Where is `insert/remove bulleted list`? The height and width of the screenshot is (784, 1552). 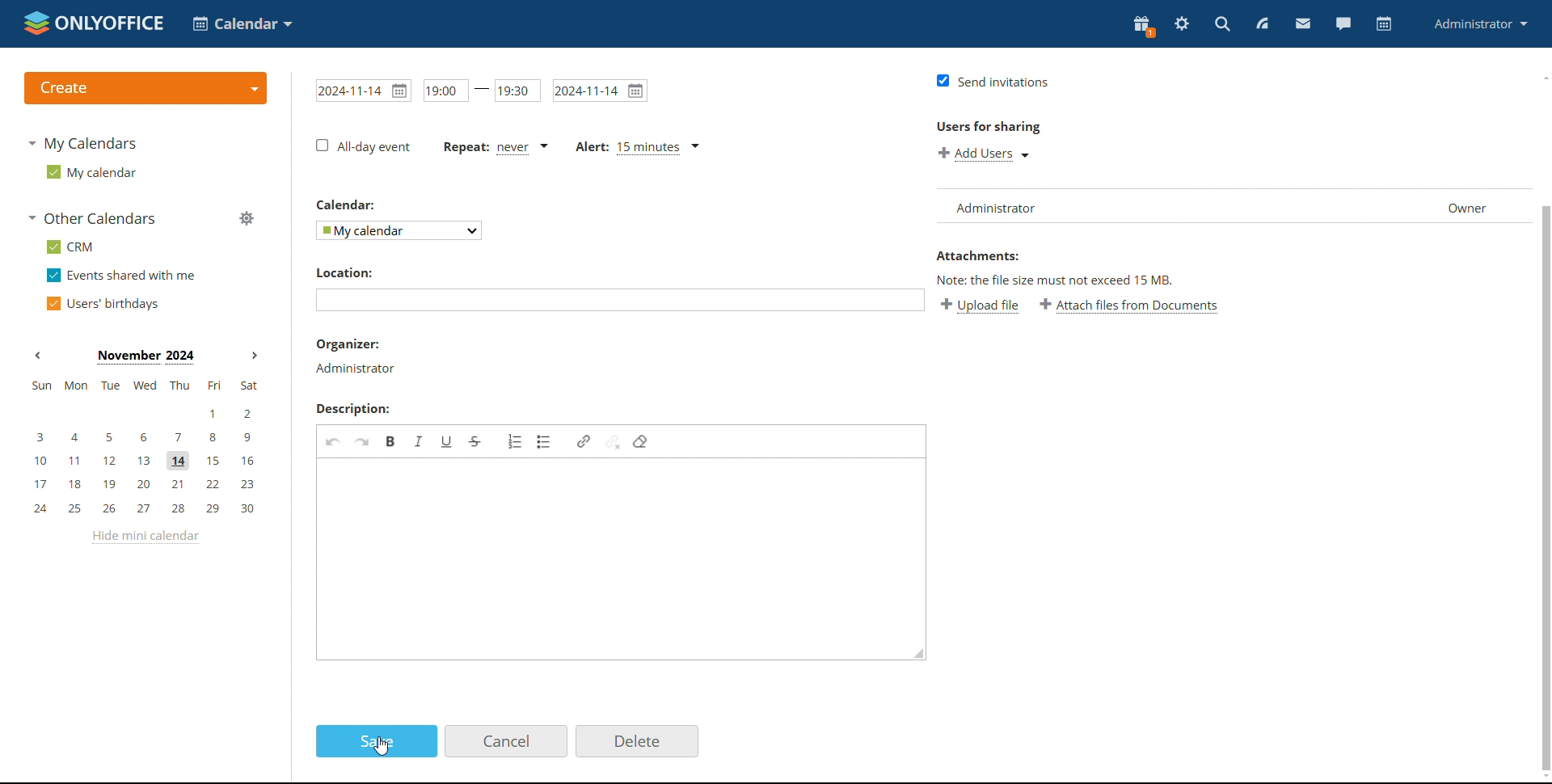 insert/remove bulleted list is located at coordinates (544, 440).